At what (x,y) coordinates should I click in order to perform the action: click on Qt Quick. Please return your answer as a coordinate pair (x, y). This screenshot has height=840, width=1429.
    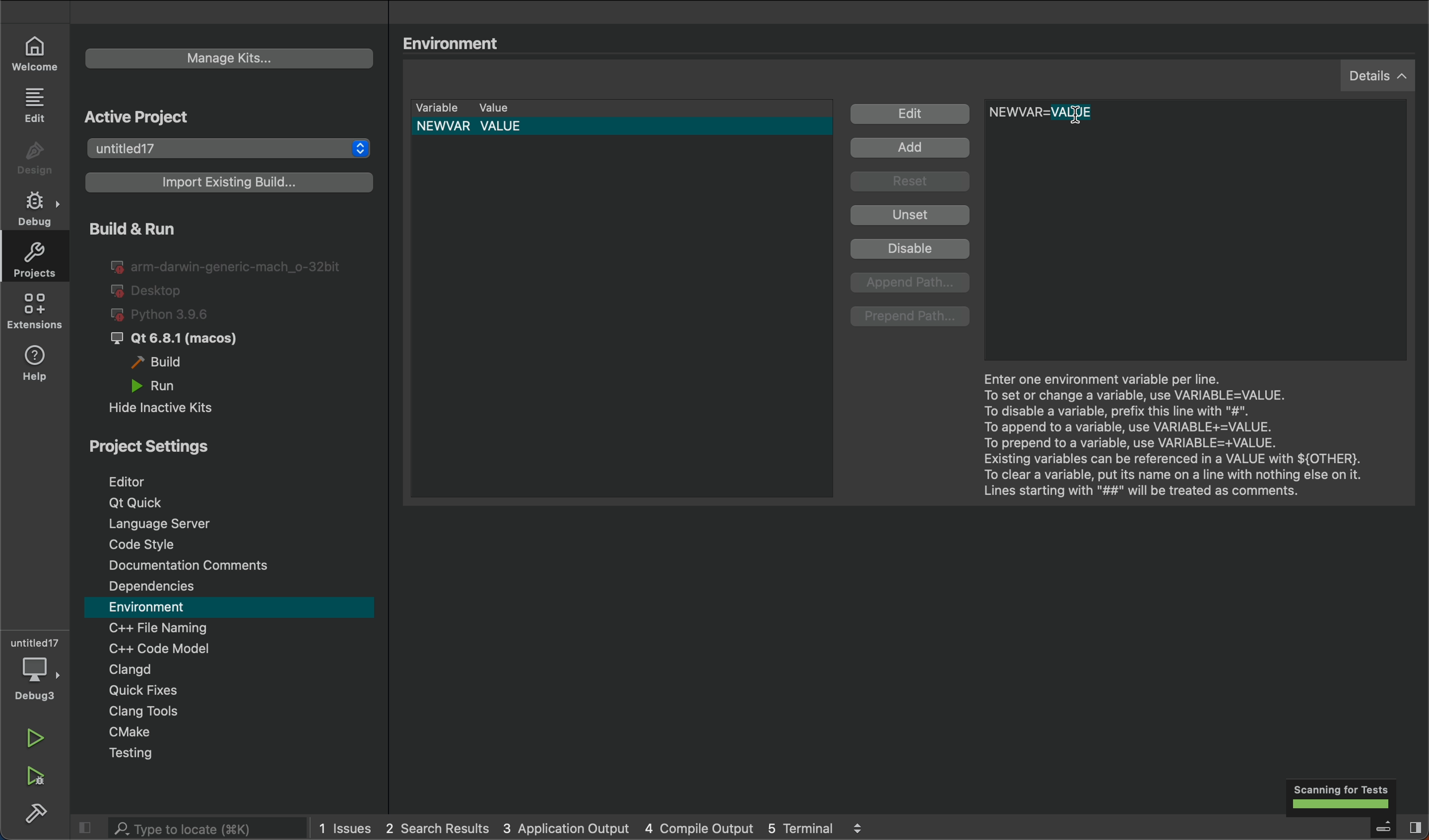
    Looking at the image, I should click on (238, 503).